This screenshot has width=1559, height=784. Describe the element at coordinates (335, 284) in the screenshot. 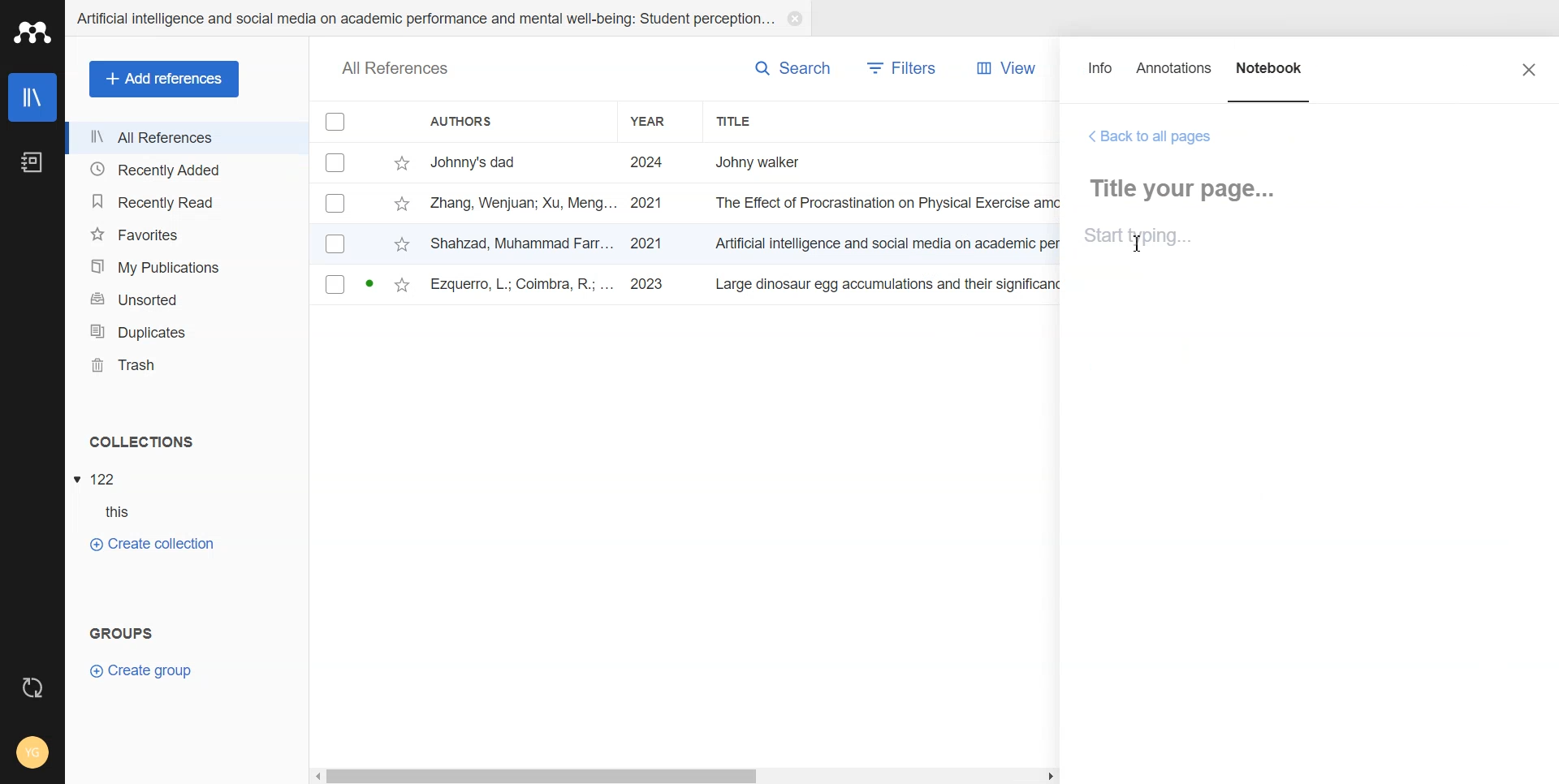

I see `Checkbox` at that location.